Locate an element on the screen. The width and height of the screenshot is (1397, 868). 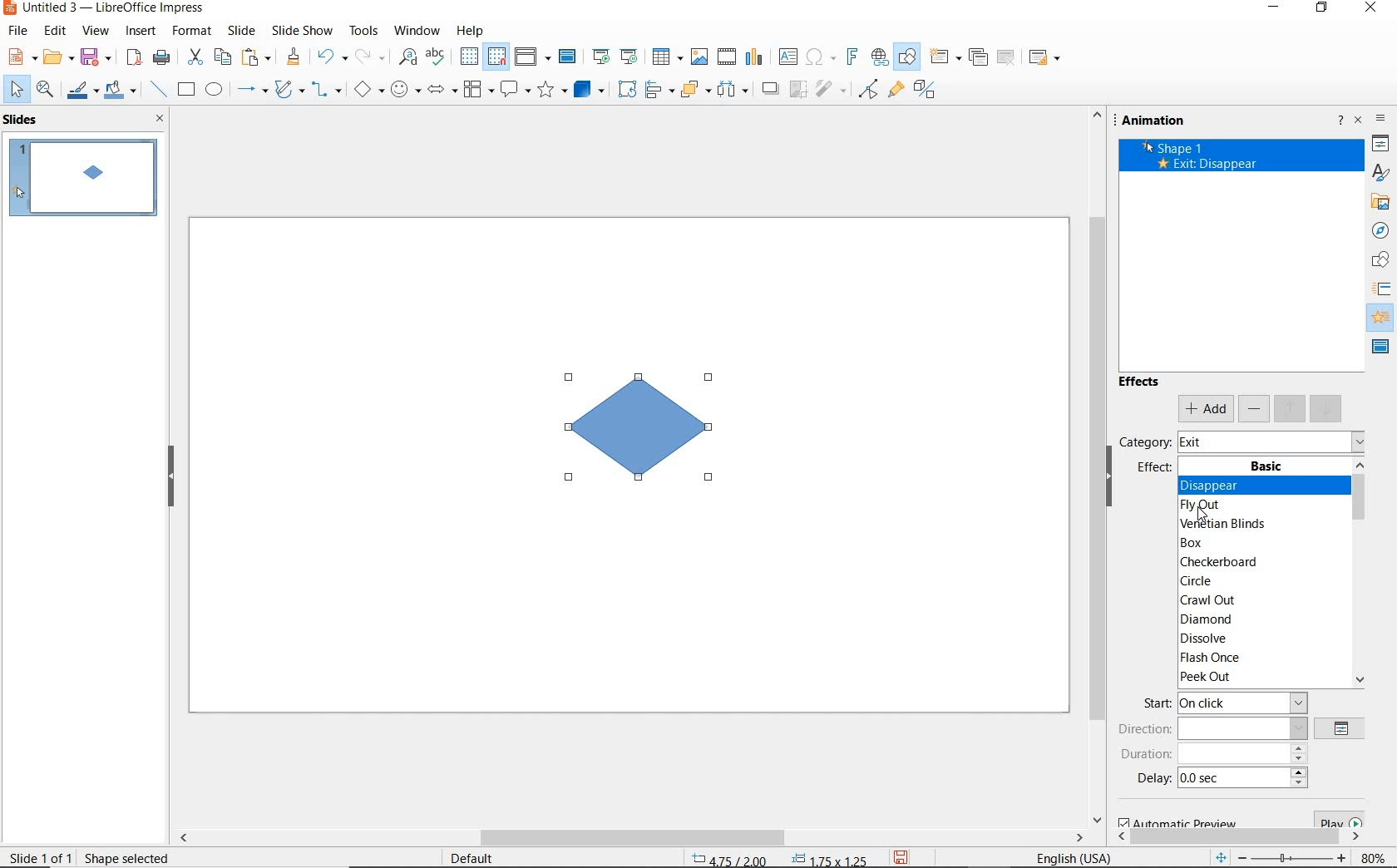
export as pdf is located at coordinates (134, 57).